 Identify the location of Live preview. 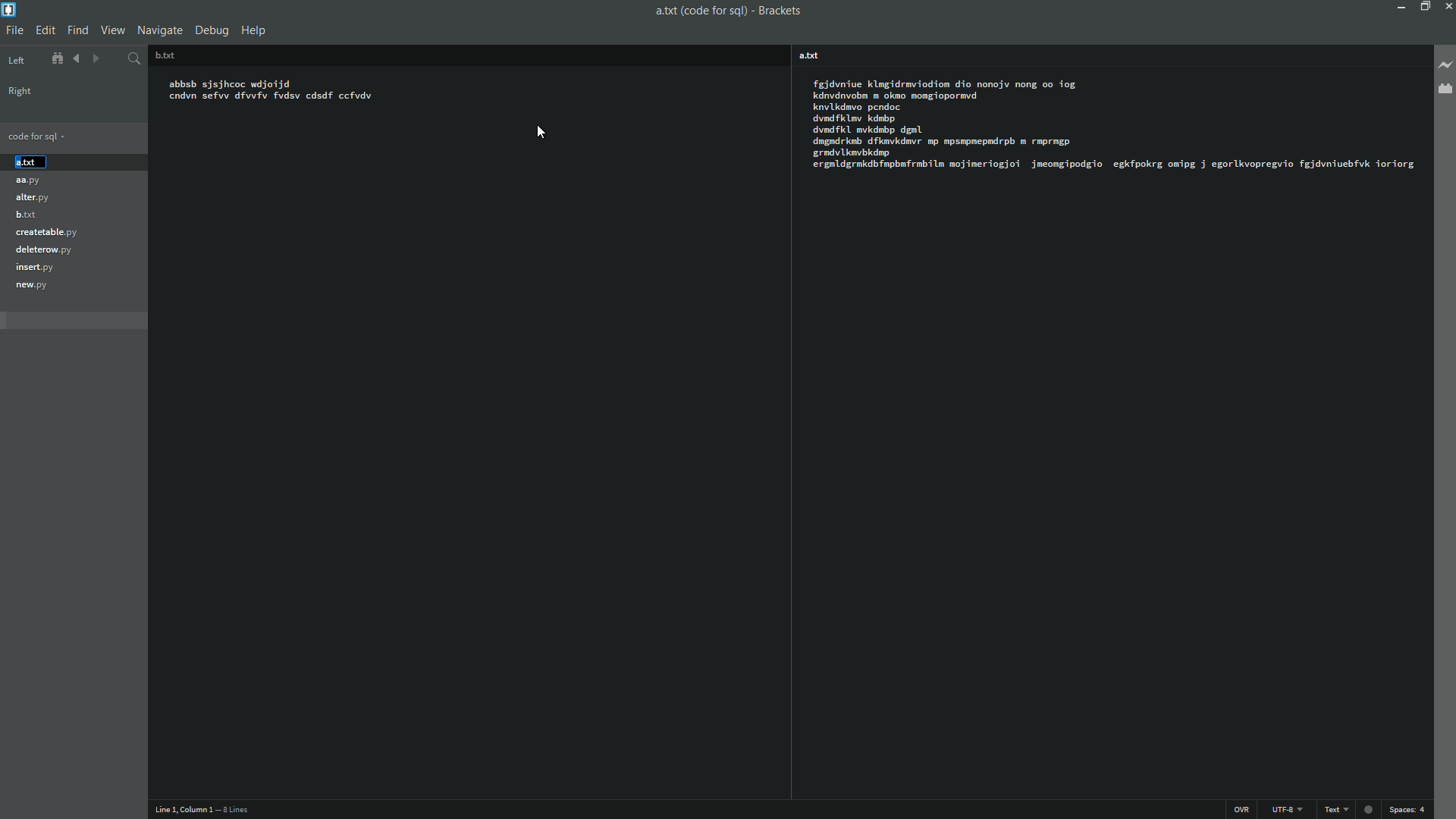
(1445, 67).